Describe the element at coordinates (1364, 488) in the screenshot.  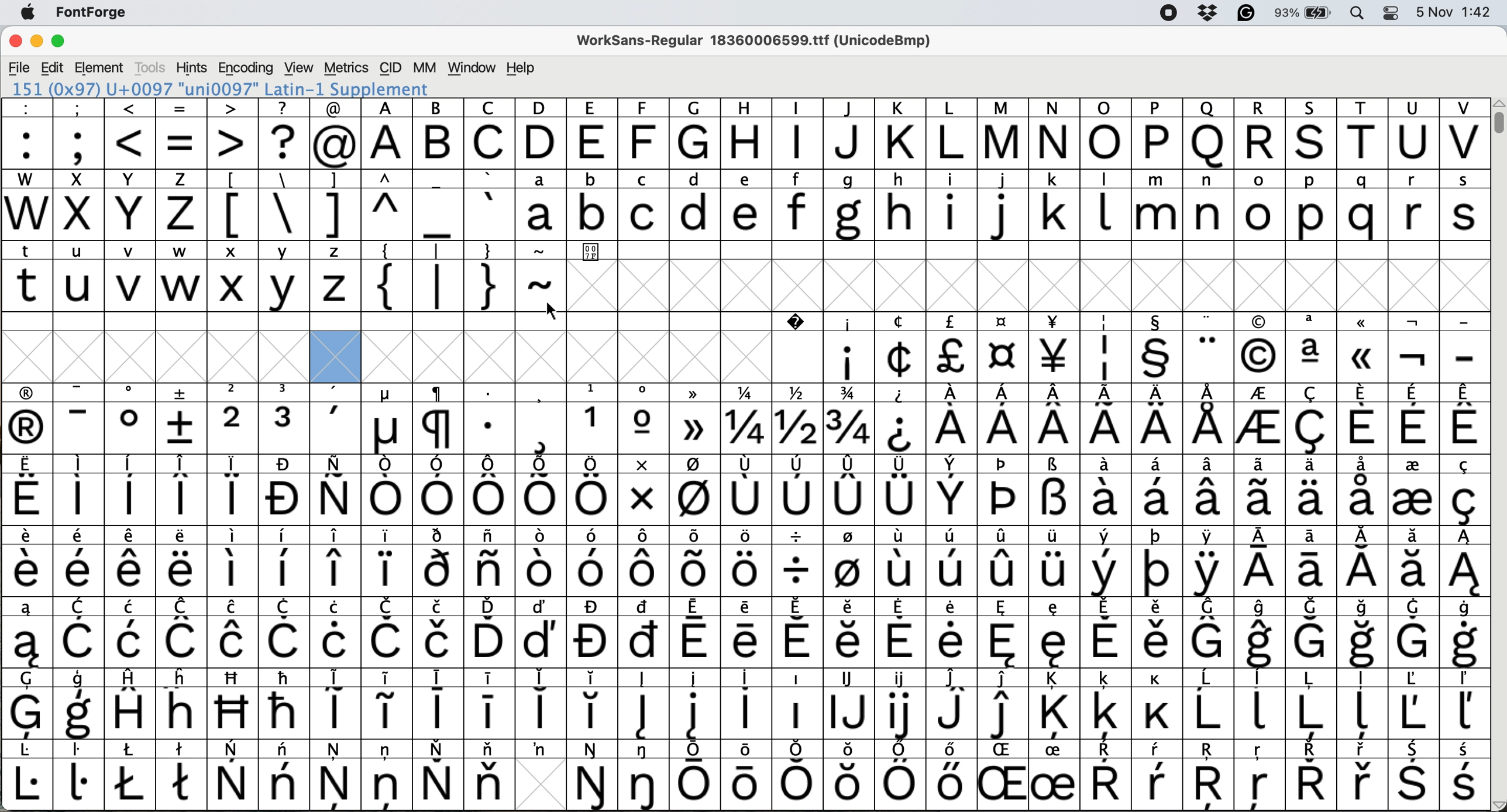
I see `symbol` at that location.